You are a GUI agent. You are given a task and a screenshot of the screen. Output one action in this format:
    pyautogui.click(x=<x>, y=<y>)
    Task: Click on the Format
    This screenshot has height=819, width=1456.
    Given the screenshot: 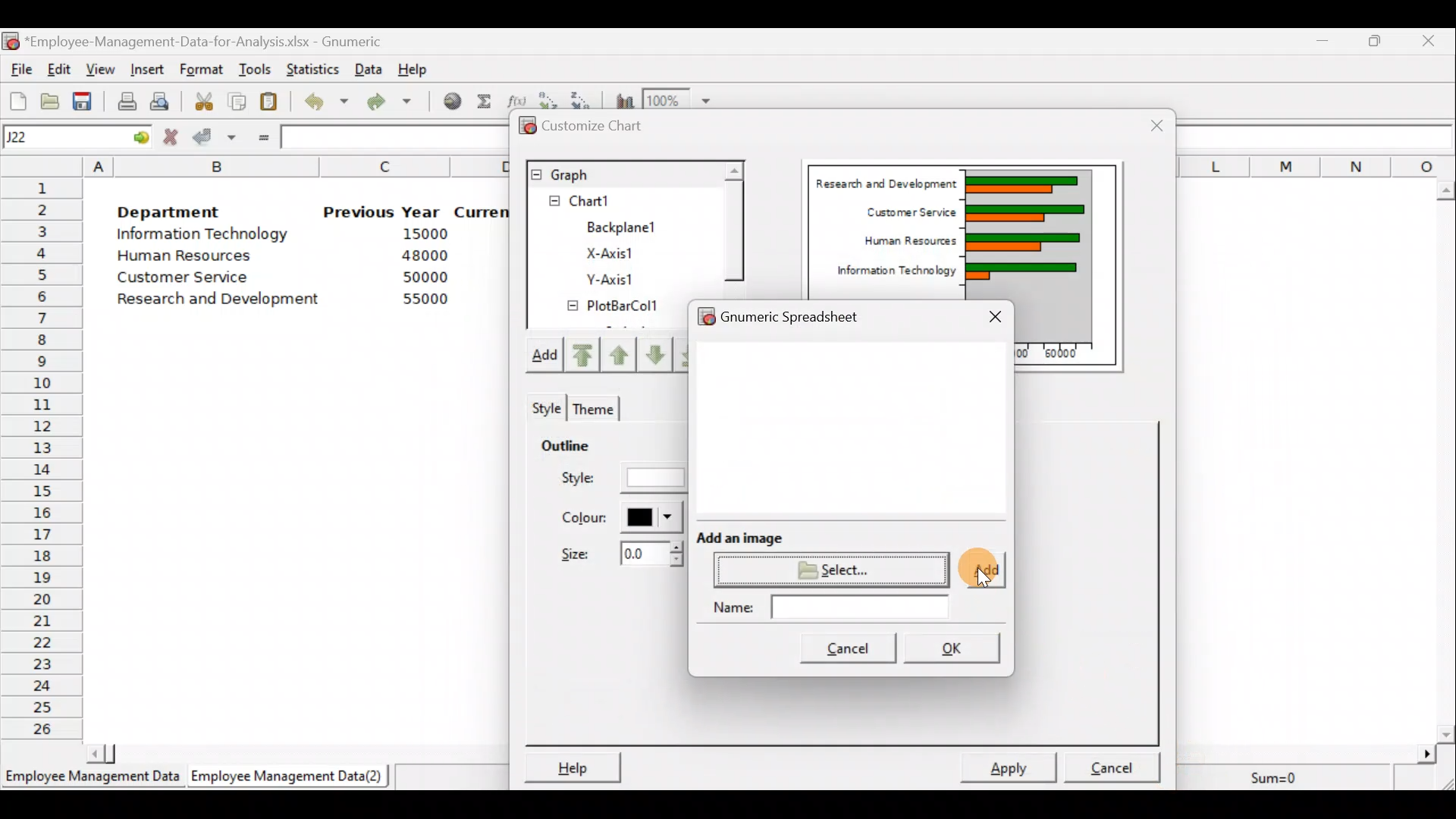 What is the action you would take?
    pyautogui.click(x=203, y=67)
    